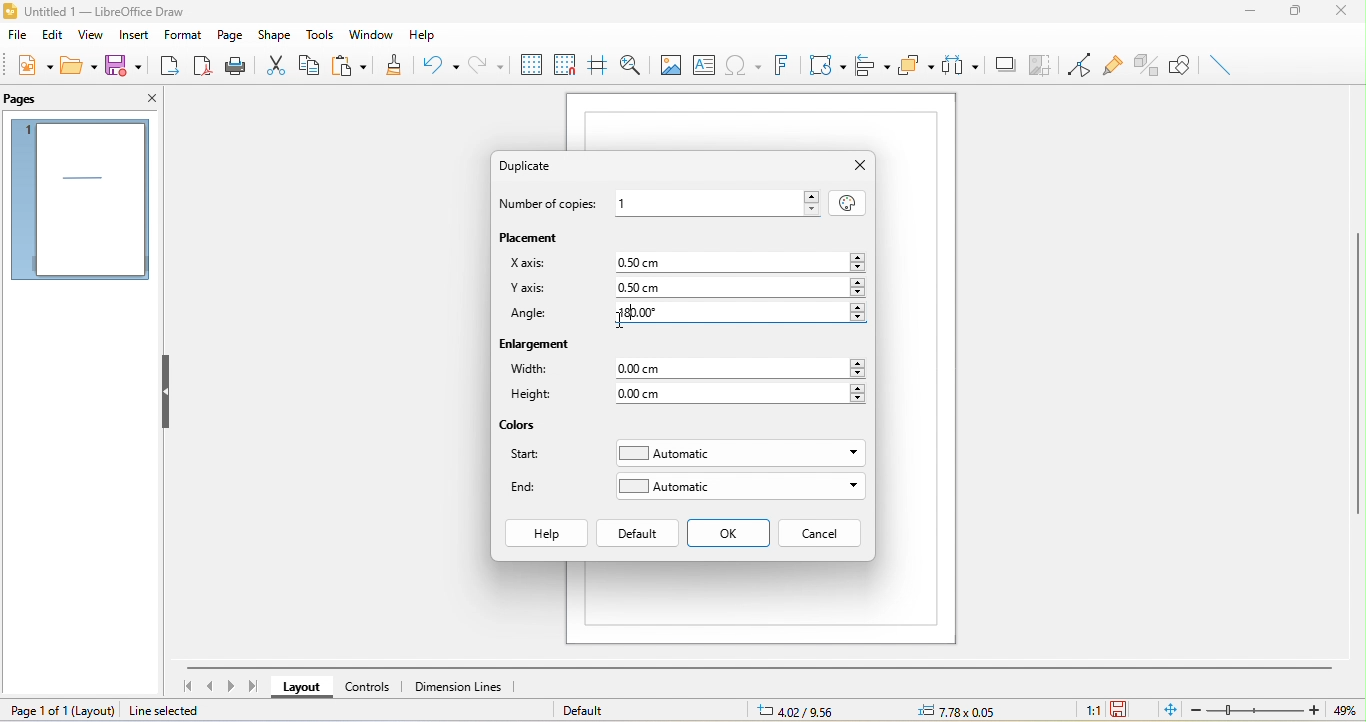  Describe the element at coordinates (355, 64) in the screenshot. I see `paste` at that location.